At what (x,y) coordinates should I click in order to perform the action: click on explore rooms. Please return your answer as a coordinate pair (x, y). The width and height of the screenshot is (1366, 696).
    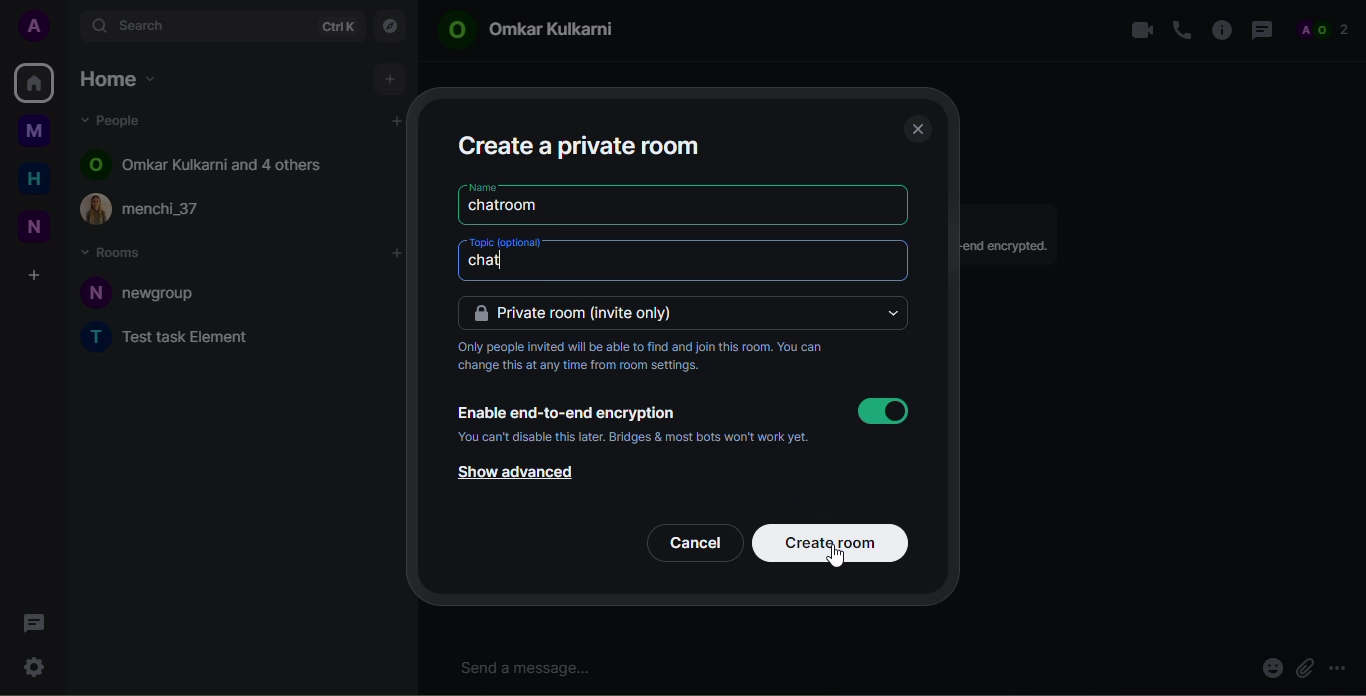
    Looking at the image, I should click on (389, 27).